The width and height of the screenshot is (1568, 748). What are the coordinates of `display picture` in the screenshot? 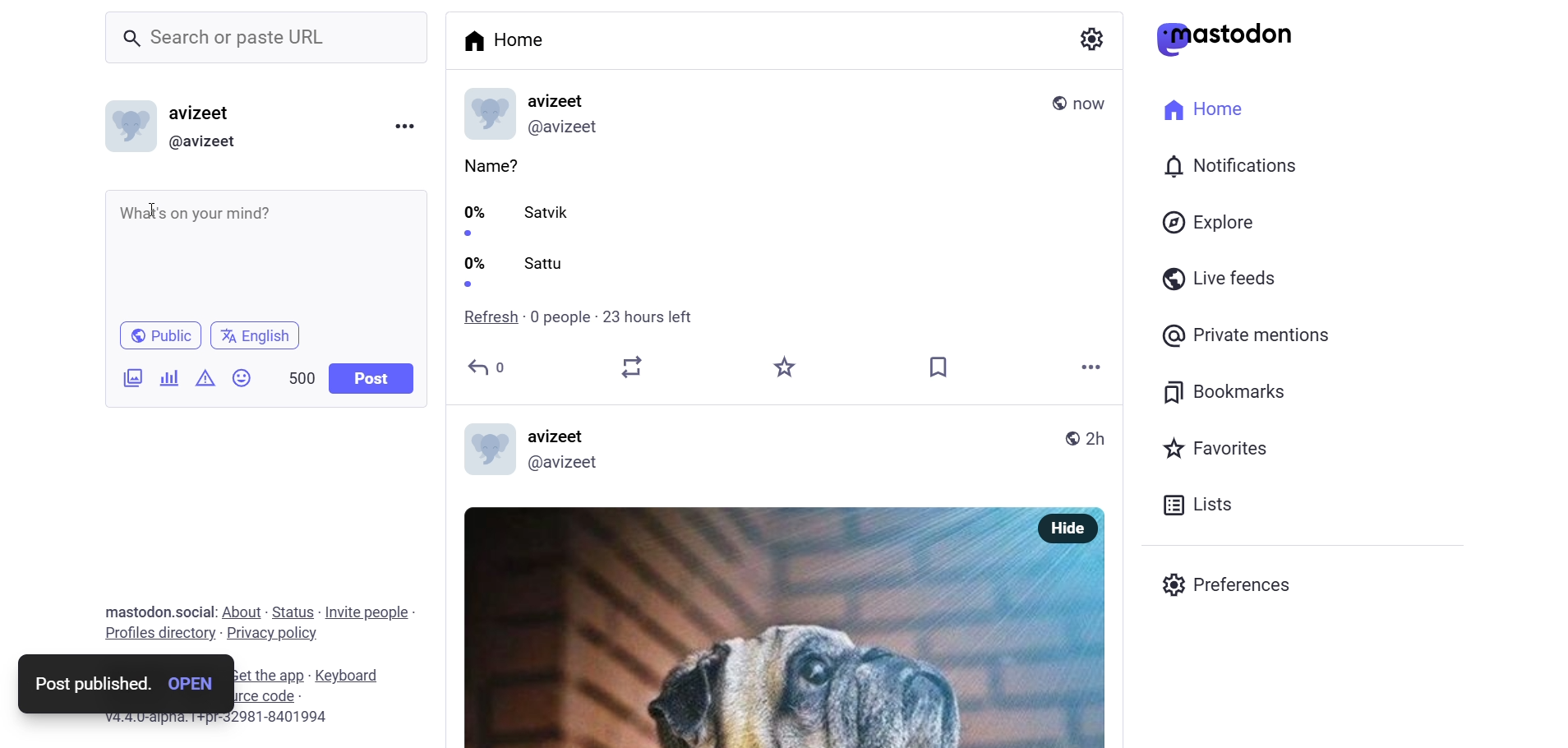 It's located at (484, 114).